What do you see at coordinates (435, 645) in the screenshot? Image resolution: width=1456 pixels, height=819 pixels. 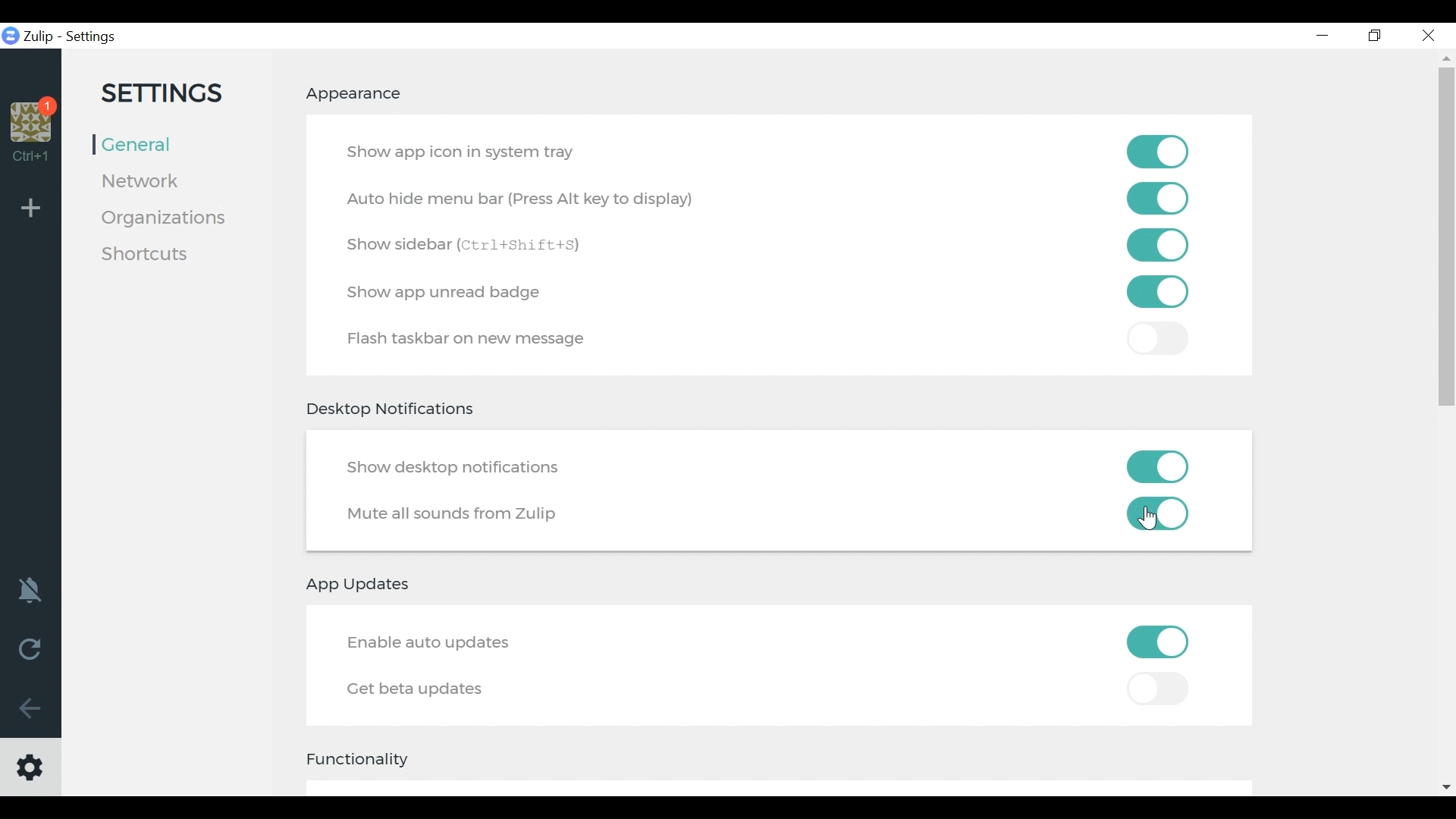 I see `Enable auto update` at bounding box center [435, 645].